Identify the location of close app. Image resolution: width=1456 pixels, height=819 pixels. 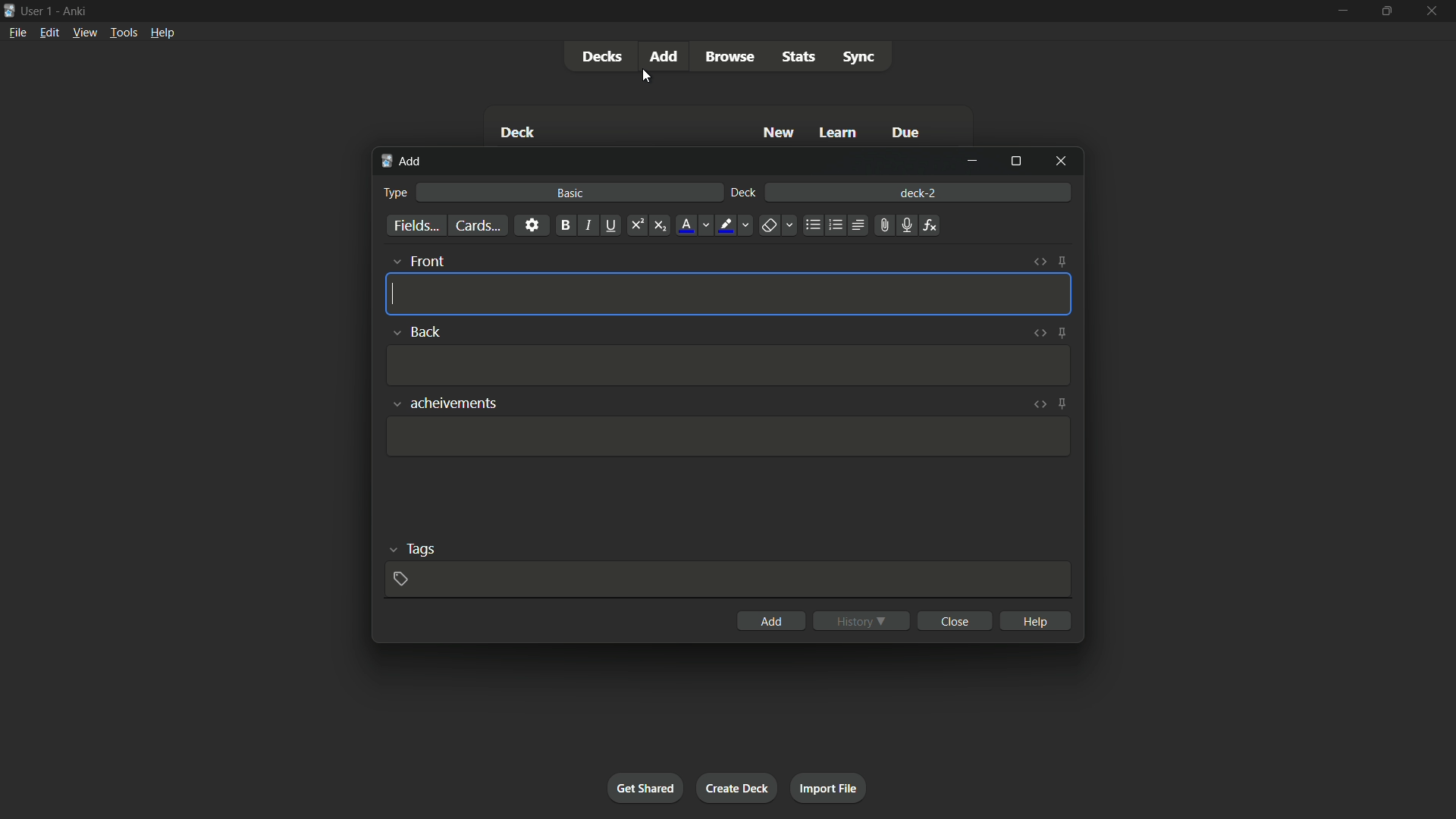
(1434, 11).